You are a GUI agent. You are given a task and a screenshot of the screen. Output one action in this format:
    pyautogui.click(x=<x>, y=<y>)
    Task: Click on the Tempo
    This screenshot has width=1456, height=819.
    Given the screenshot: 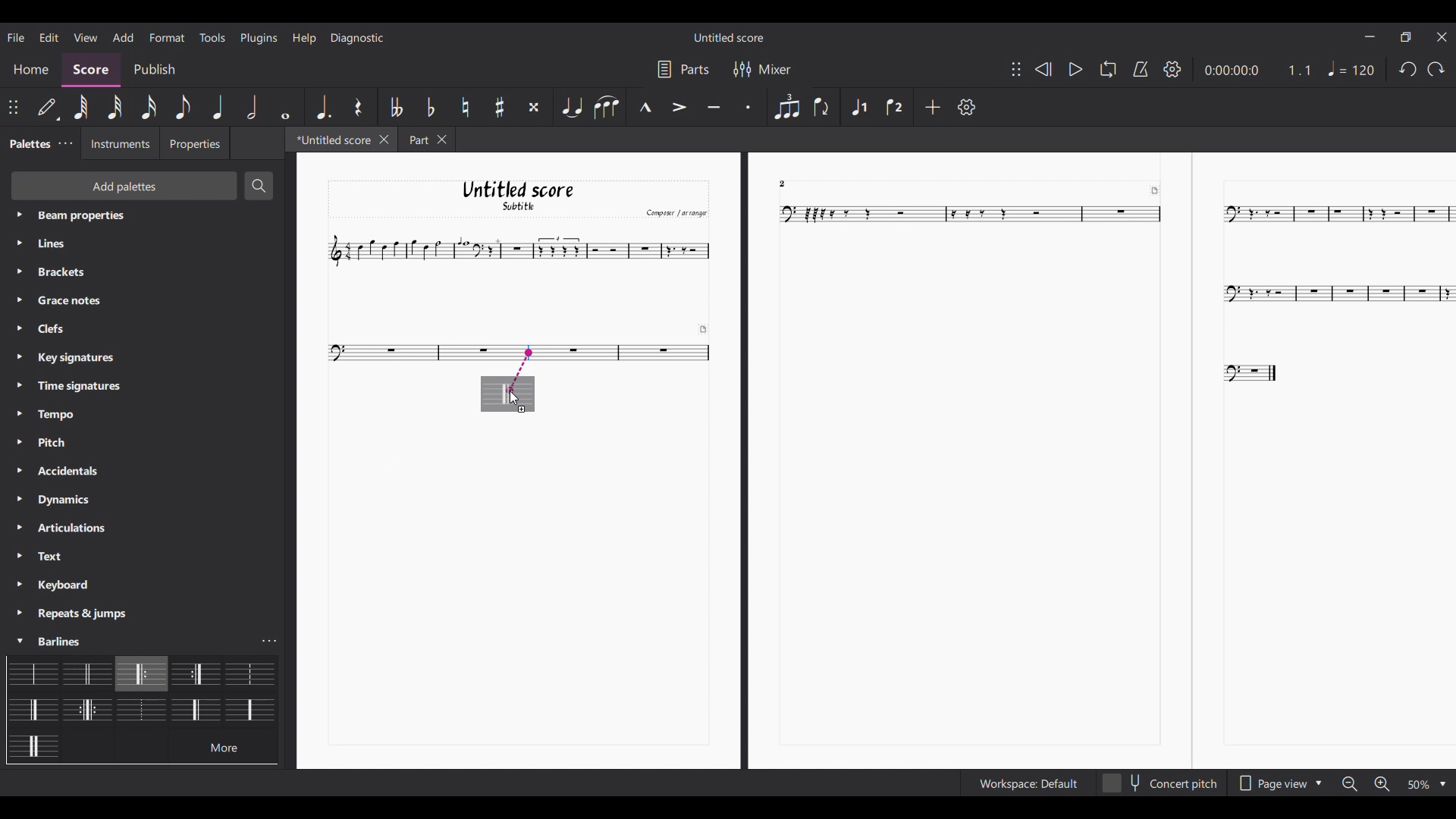 What is the action you would take?
    pyautogui.click(x=1351, y=68)
    